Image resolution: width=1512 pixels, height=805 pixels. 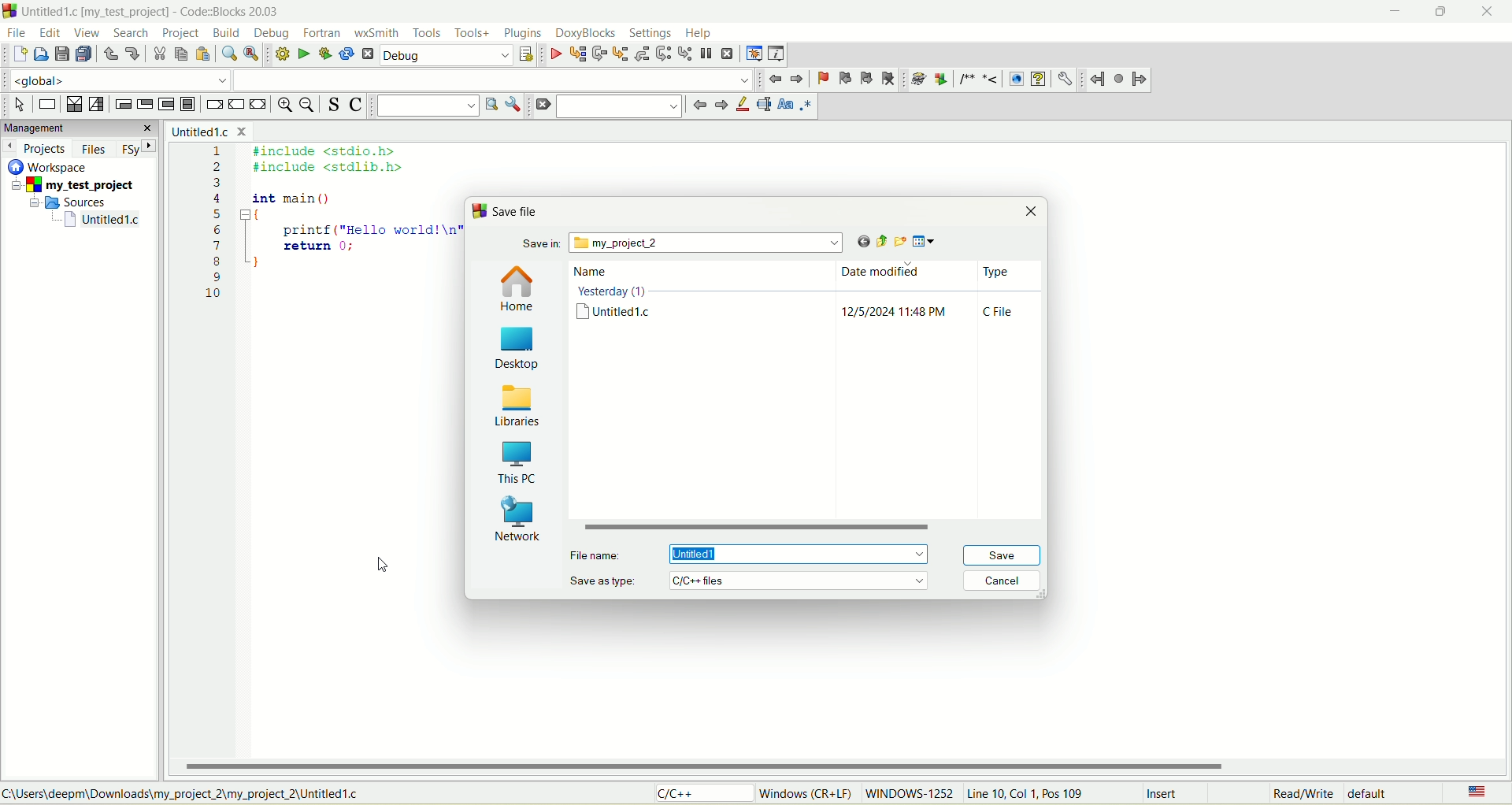 What do you see at coordinates (542, 106) in the screenshot?
I see `clear` at bounding box center [542, 106].